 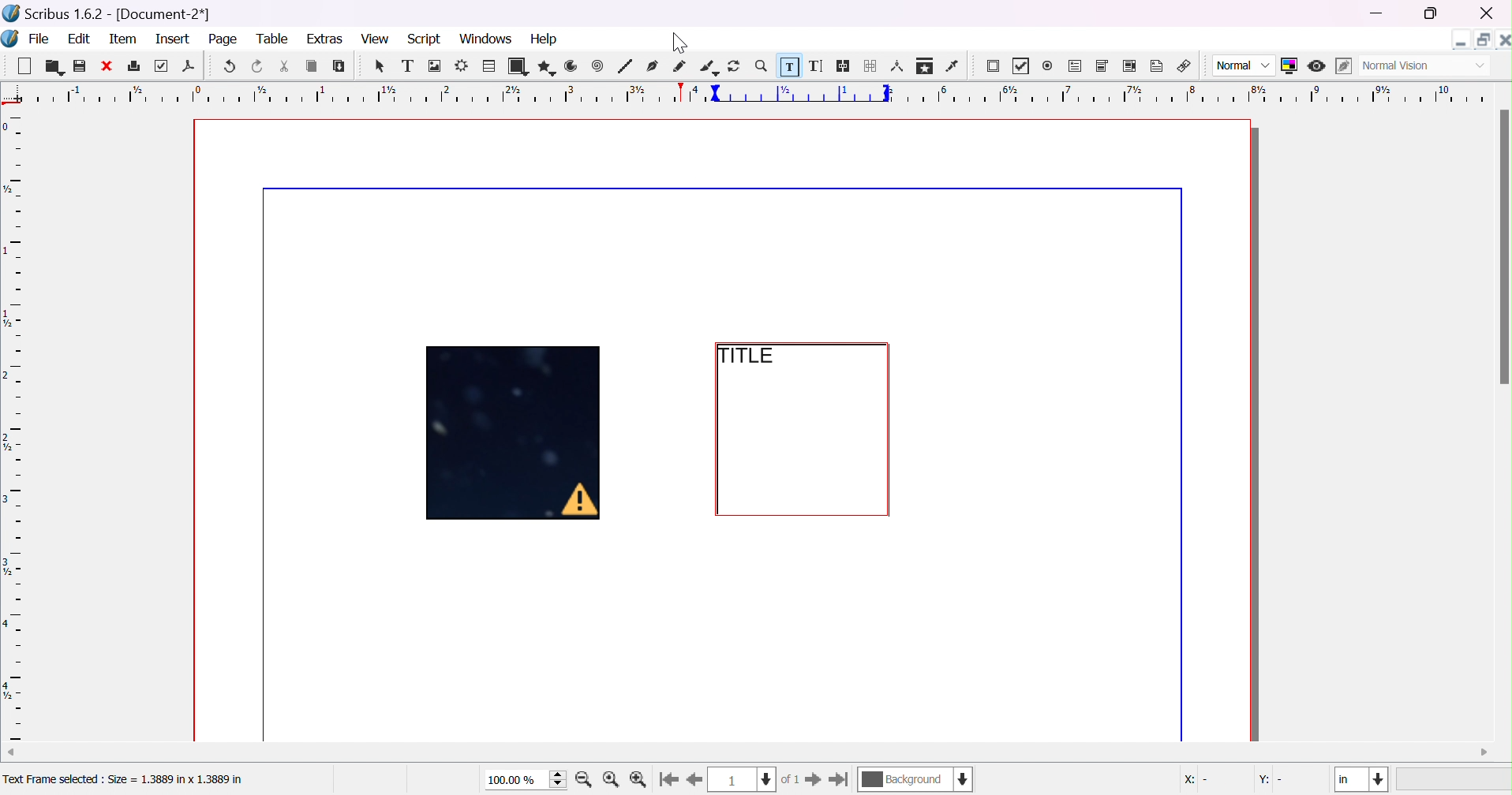 What do you see at coordinates (425, 39) in the screenshot?
I see `script` at bounding box center [425, 39].